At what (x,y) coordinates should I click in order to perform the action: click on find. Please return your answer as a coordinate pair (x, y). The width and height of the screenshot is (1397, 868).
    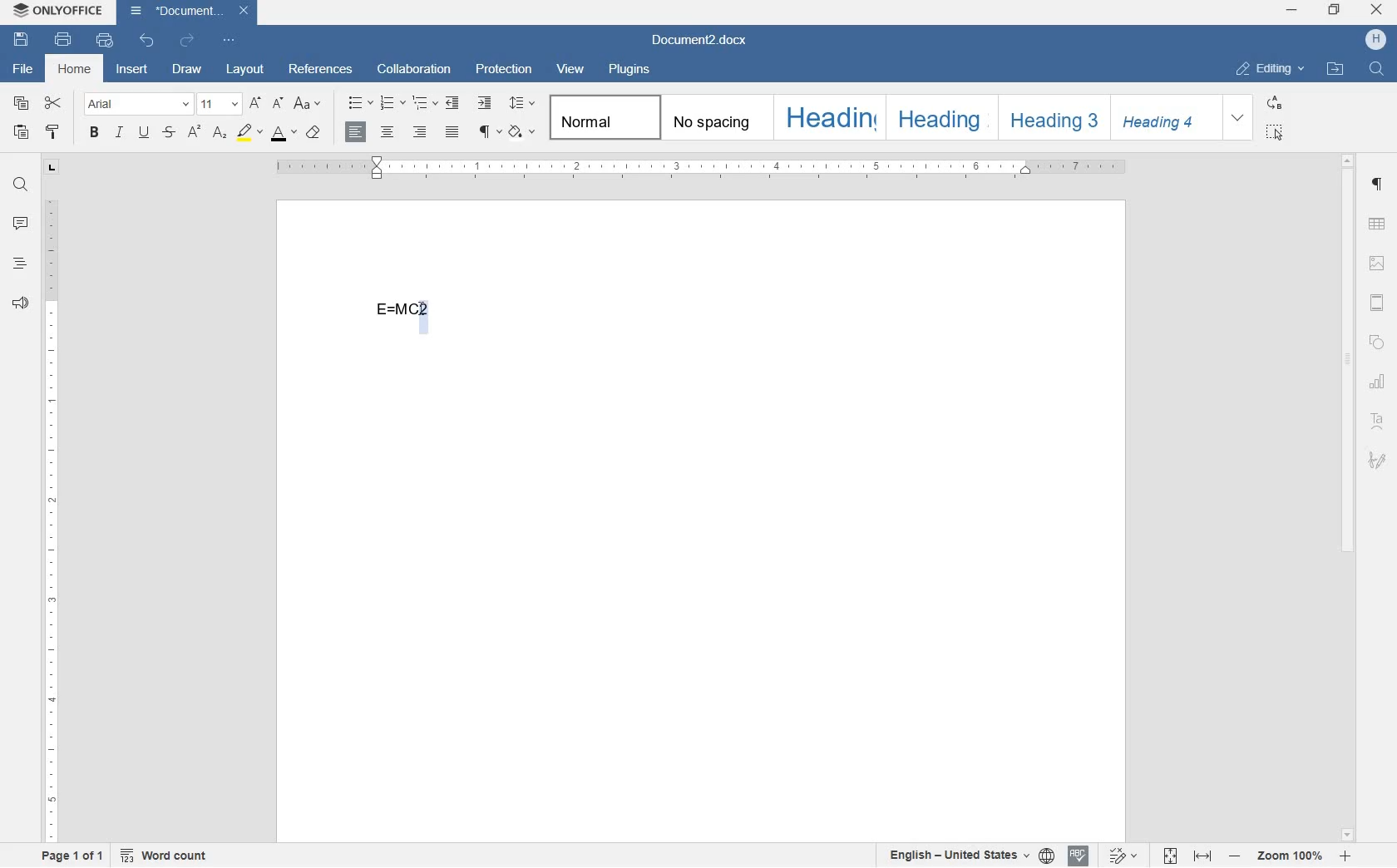
    Looking at the image, I should click on (23, 185).